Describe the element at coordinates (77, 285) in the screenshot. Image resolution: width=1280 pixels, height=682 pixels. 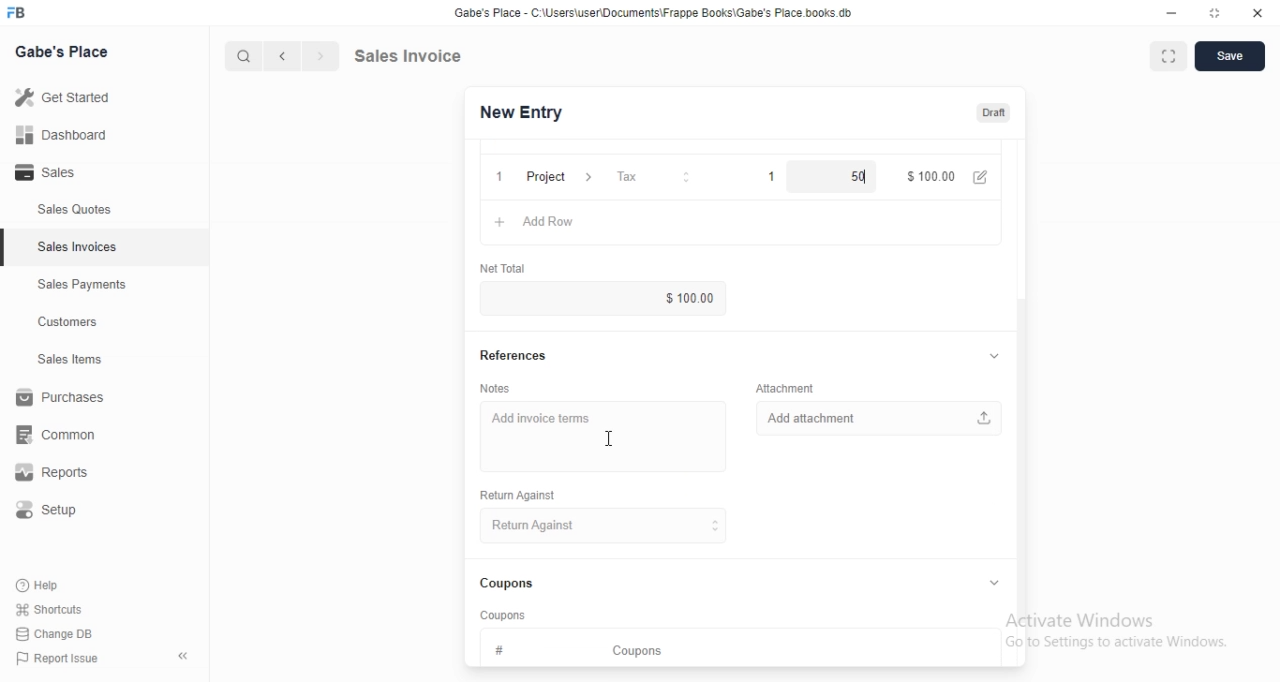
I see `Sales Payments` at that location.